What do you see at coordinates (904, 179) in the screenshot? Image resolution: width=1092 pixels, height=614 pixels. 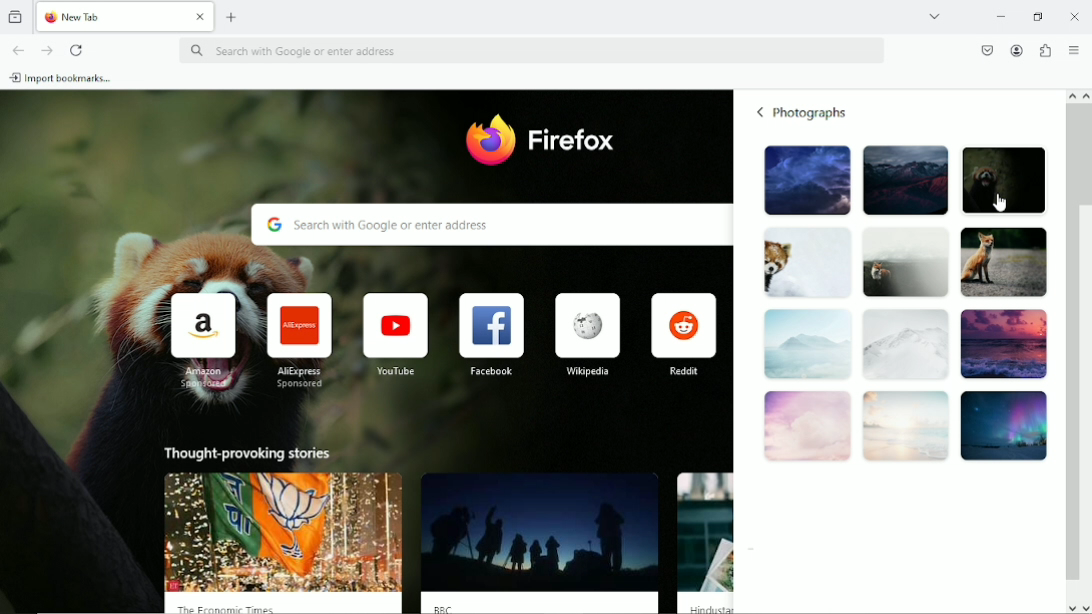 I see `Photograph` at bounding box center [904, 179].